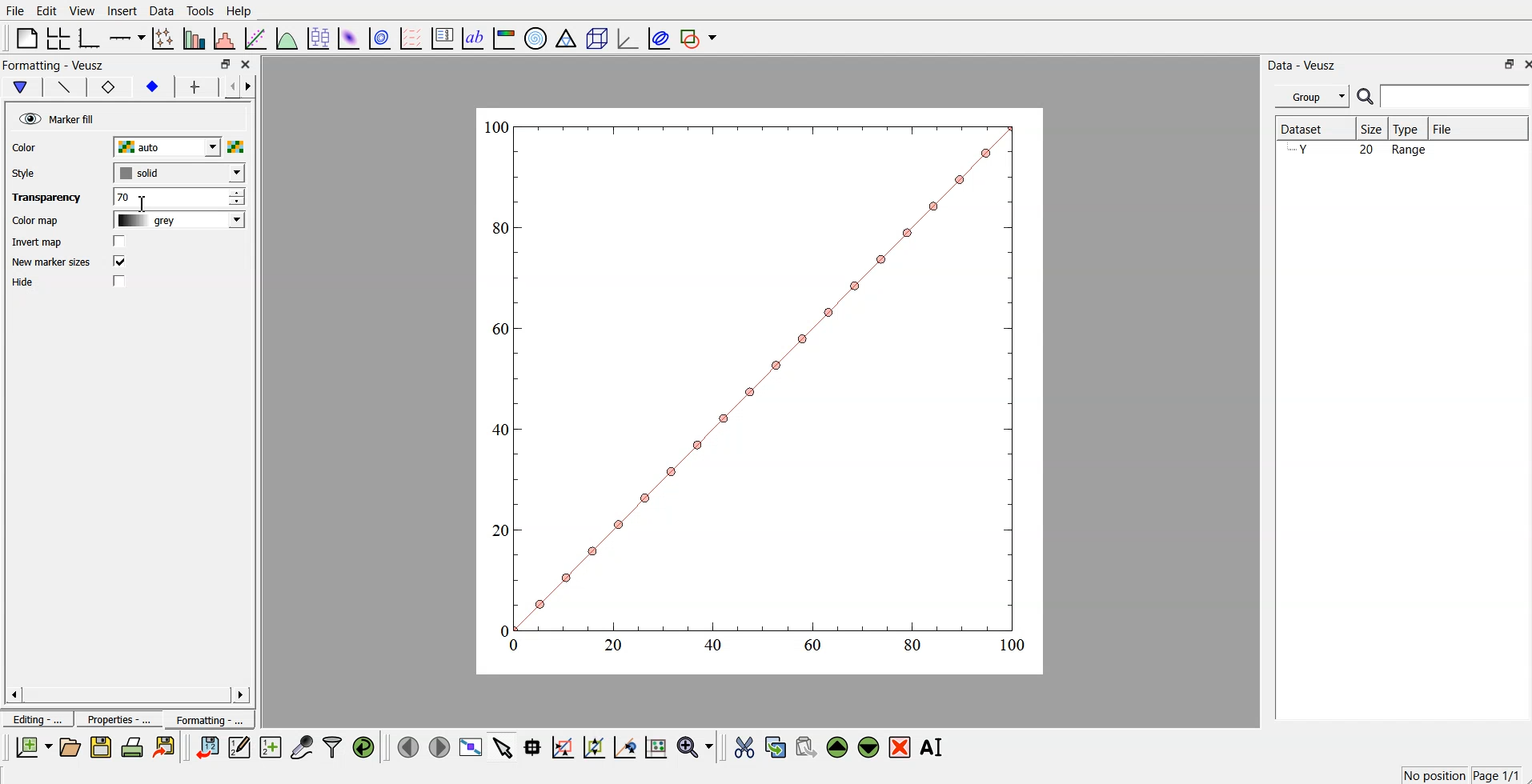 The width and height of the screenshot is (1532, 784). Describe the element at coordinates (1312, 129) in the screenshot. I see `Dataset` at that location.